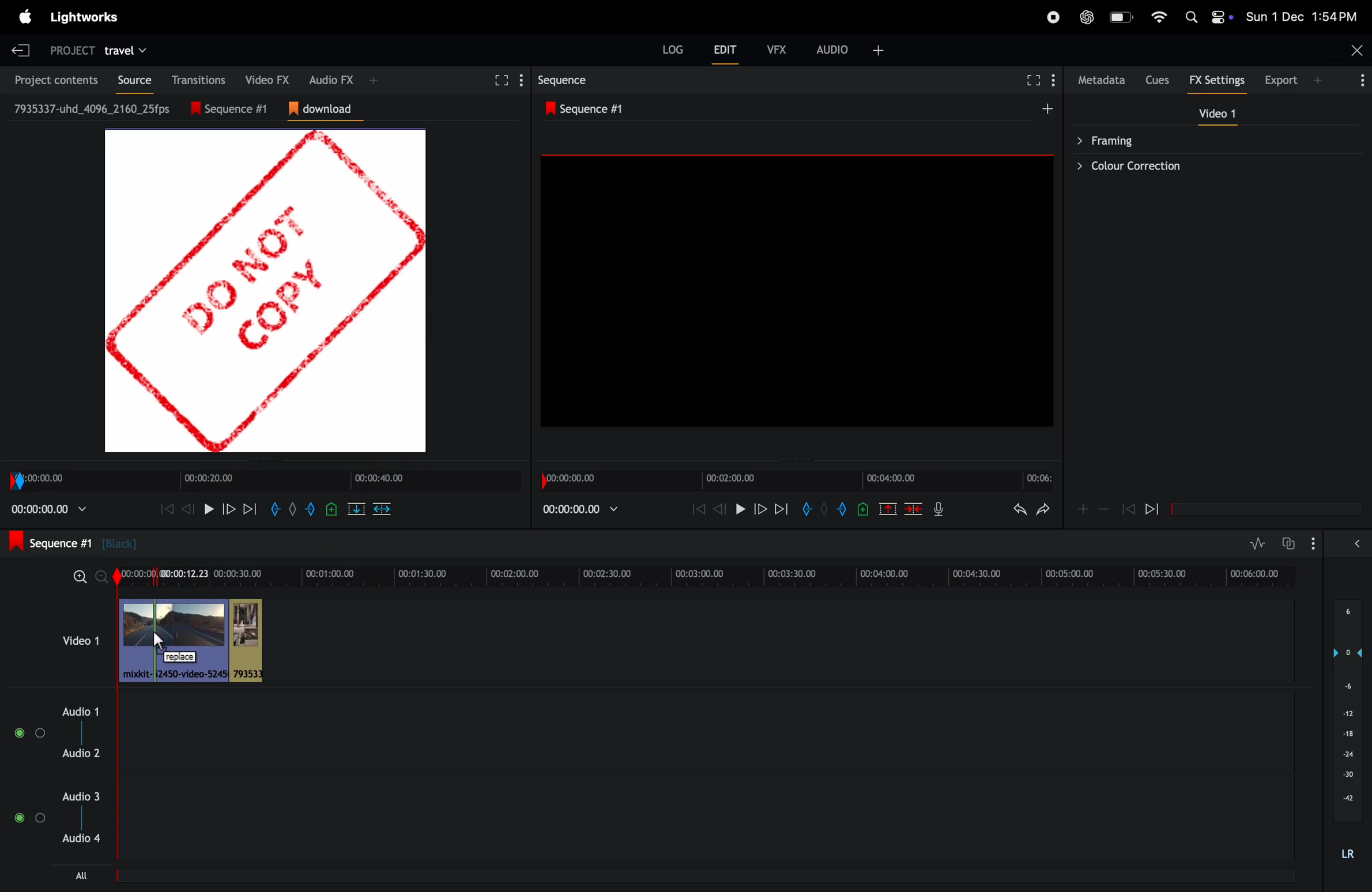 The width and height of the screenshot is (1372, 892). What do you see at coordinates (268, 460) in the screenshot?
I see `Drag to change dimension` at bounding box center [268, 460].